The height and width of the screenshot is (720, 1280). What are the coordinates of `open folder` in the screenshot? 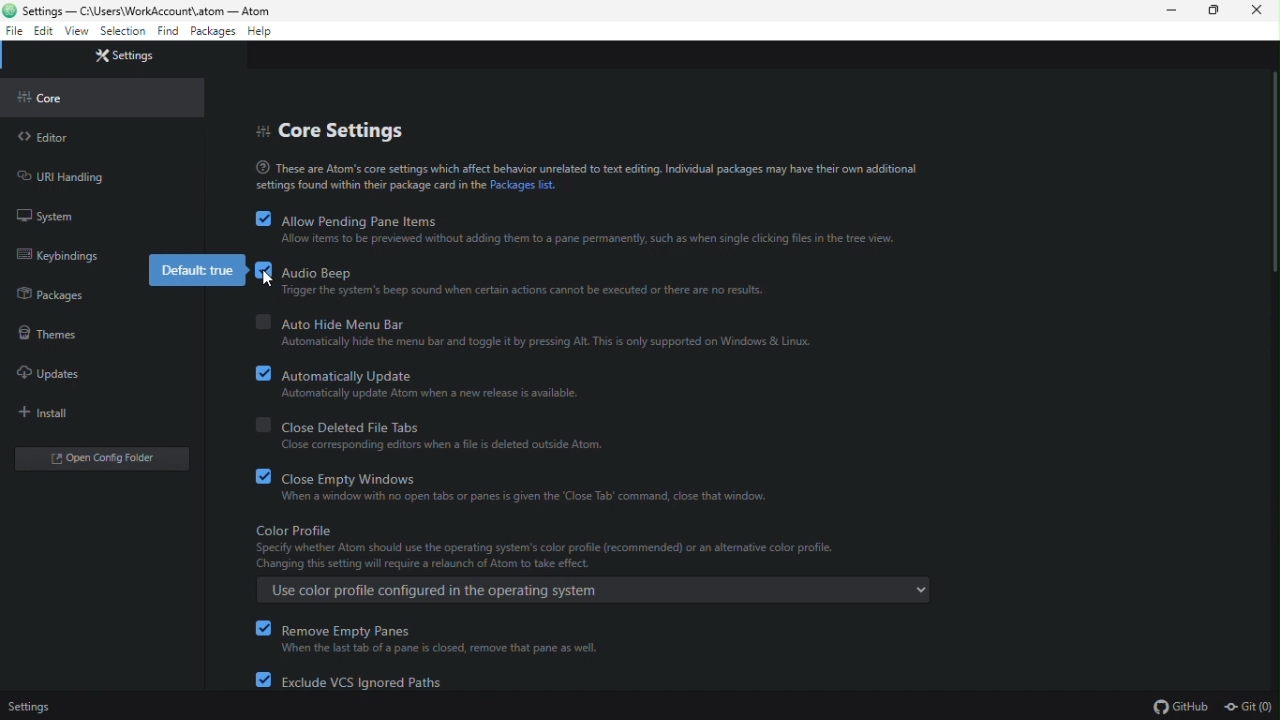 It's located at (106, 460).